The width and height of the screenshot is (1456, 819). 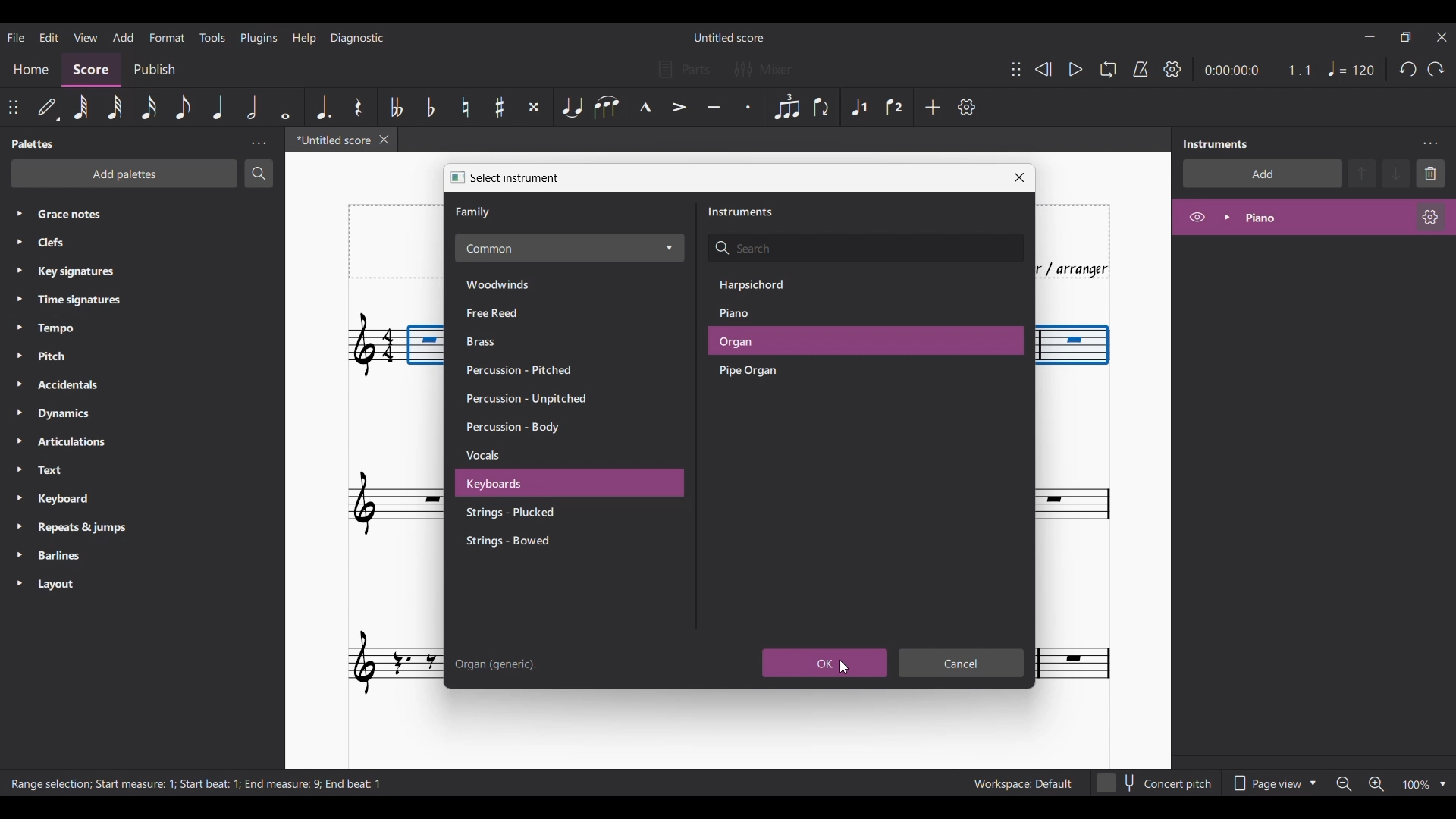 What do you see at coordinates (1376, 784) in the screenshot?
I see `Zoom in` at bounding box center [1376, 784].